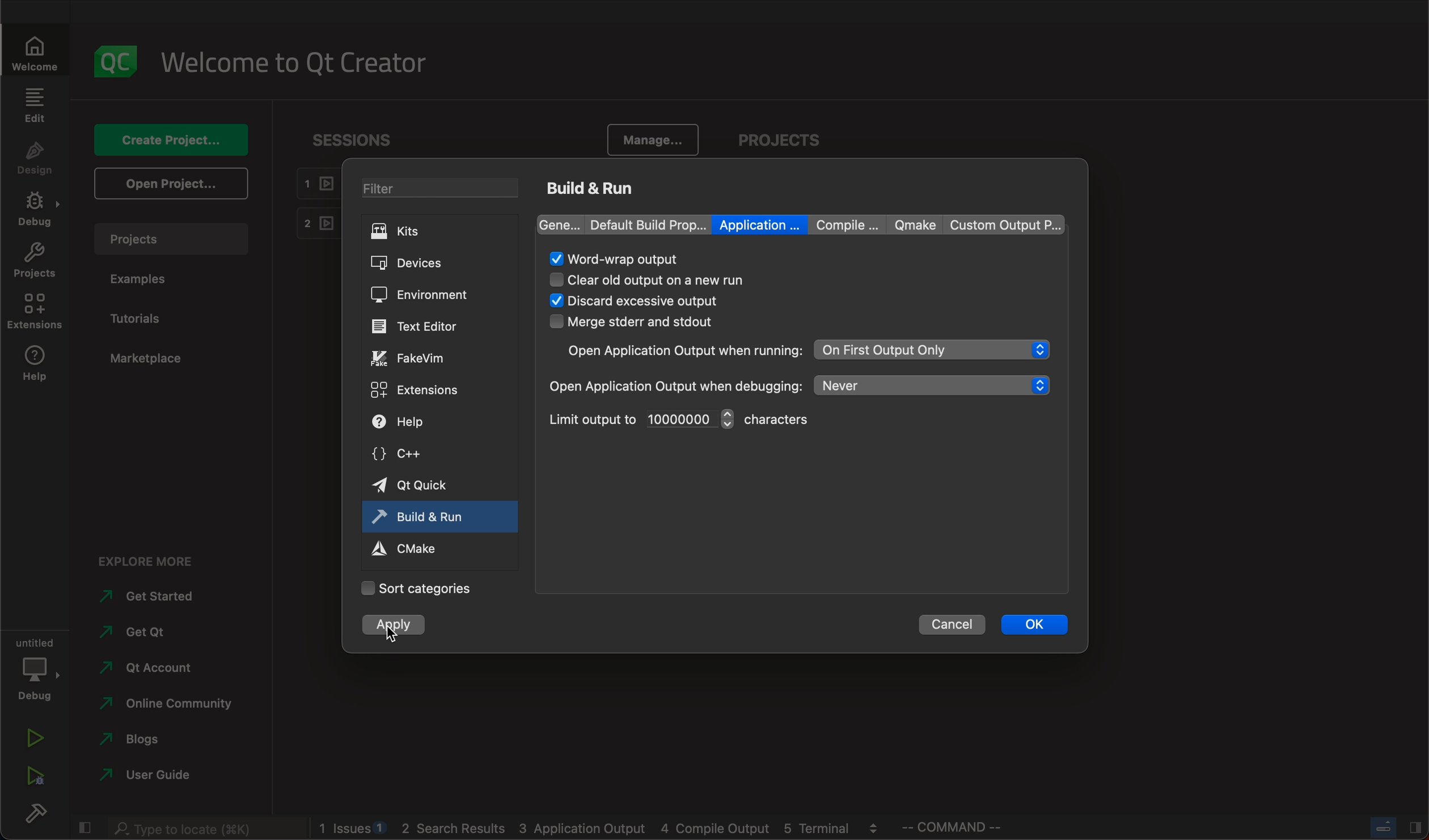 Image resolution: width=1429 pixels, height=840 pixels. What do you see at coordinates (298, 63) in the screenshot?
I see `welcome` at bounding box center [298, 63].